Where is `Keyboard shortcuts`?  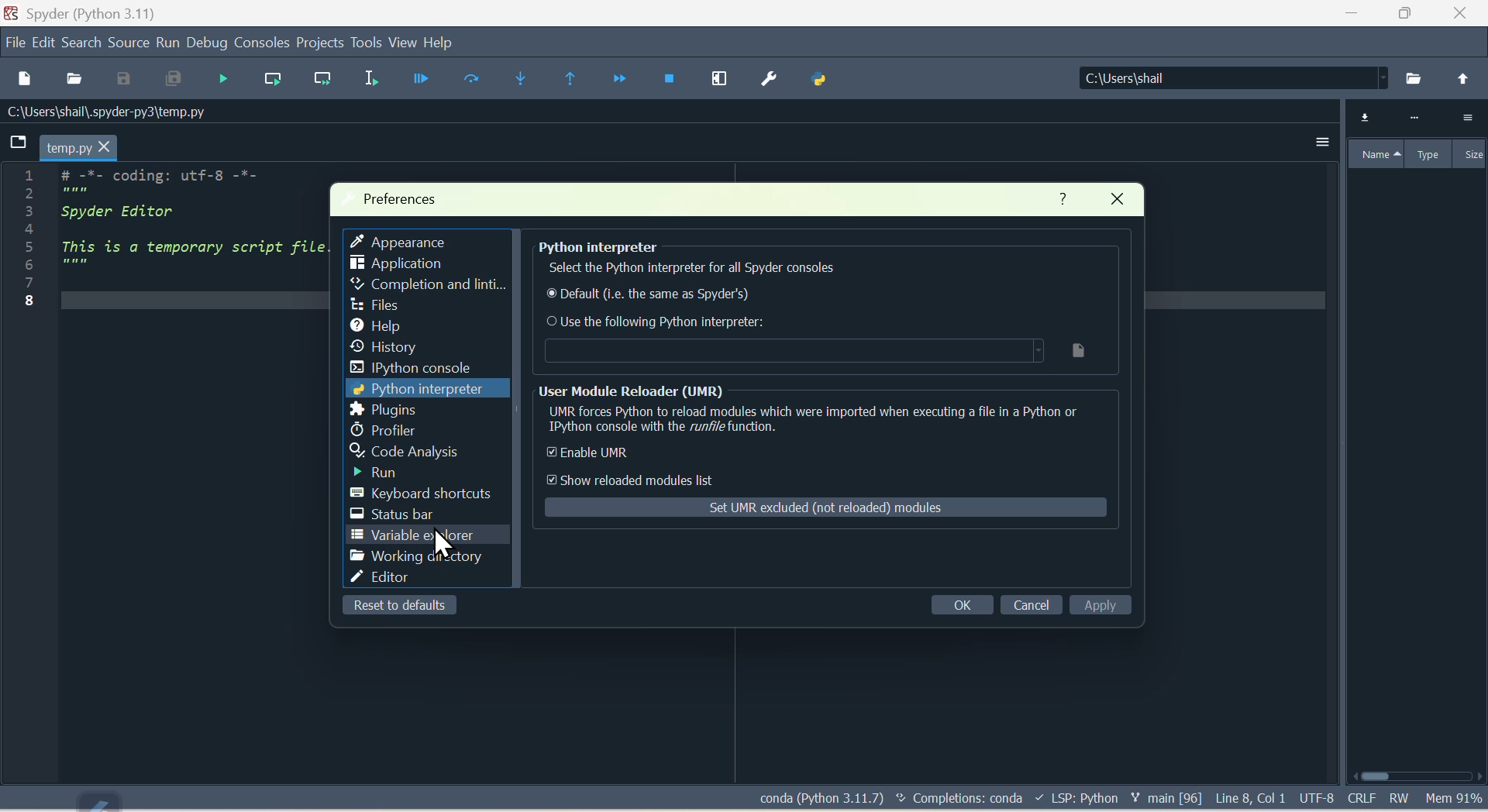 Keyboard shortcuts is located at coordinates (422, 494).